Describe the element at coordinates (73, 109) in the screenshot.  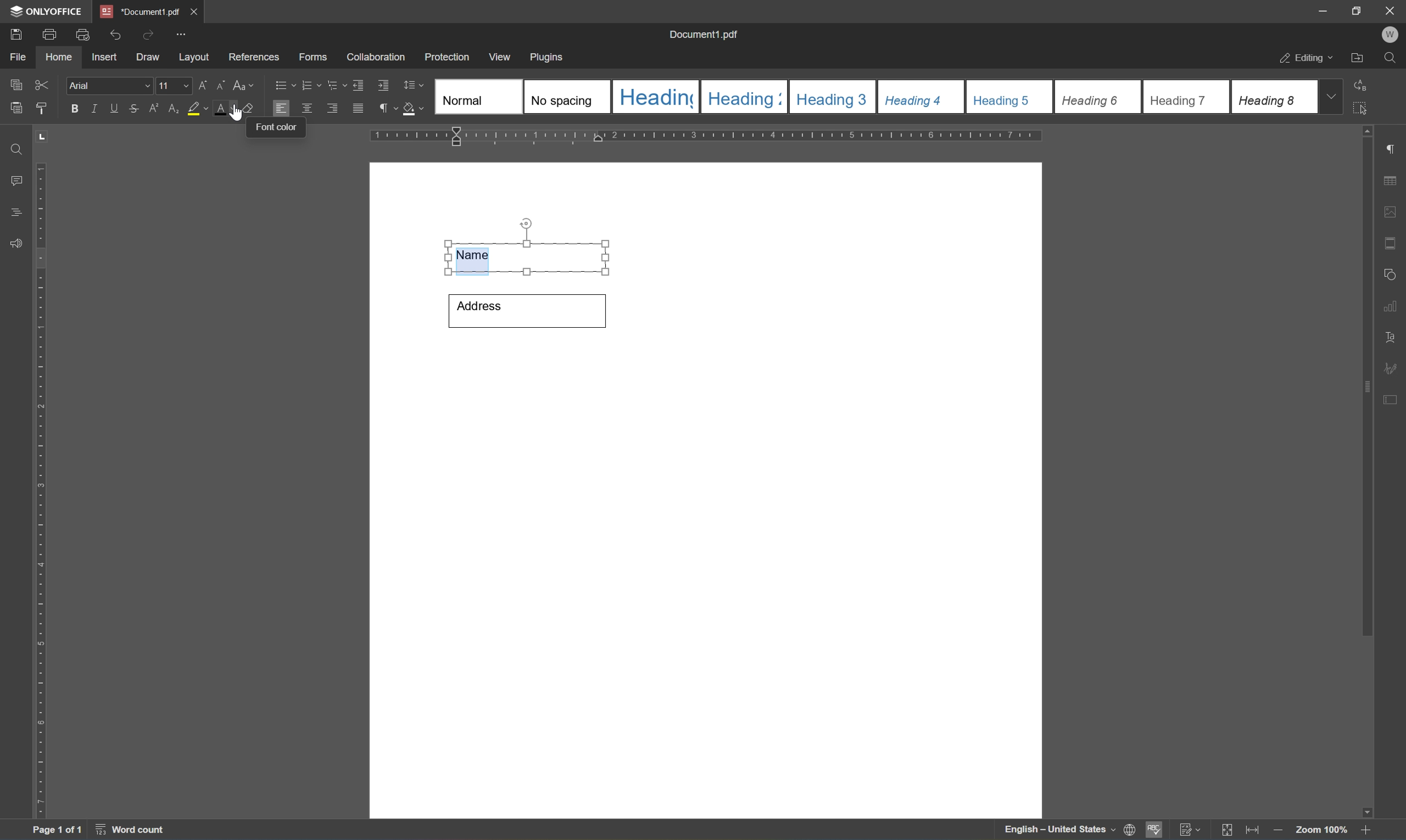
I see `bold` at that location.